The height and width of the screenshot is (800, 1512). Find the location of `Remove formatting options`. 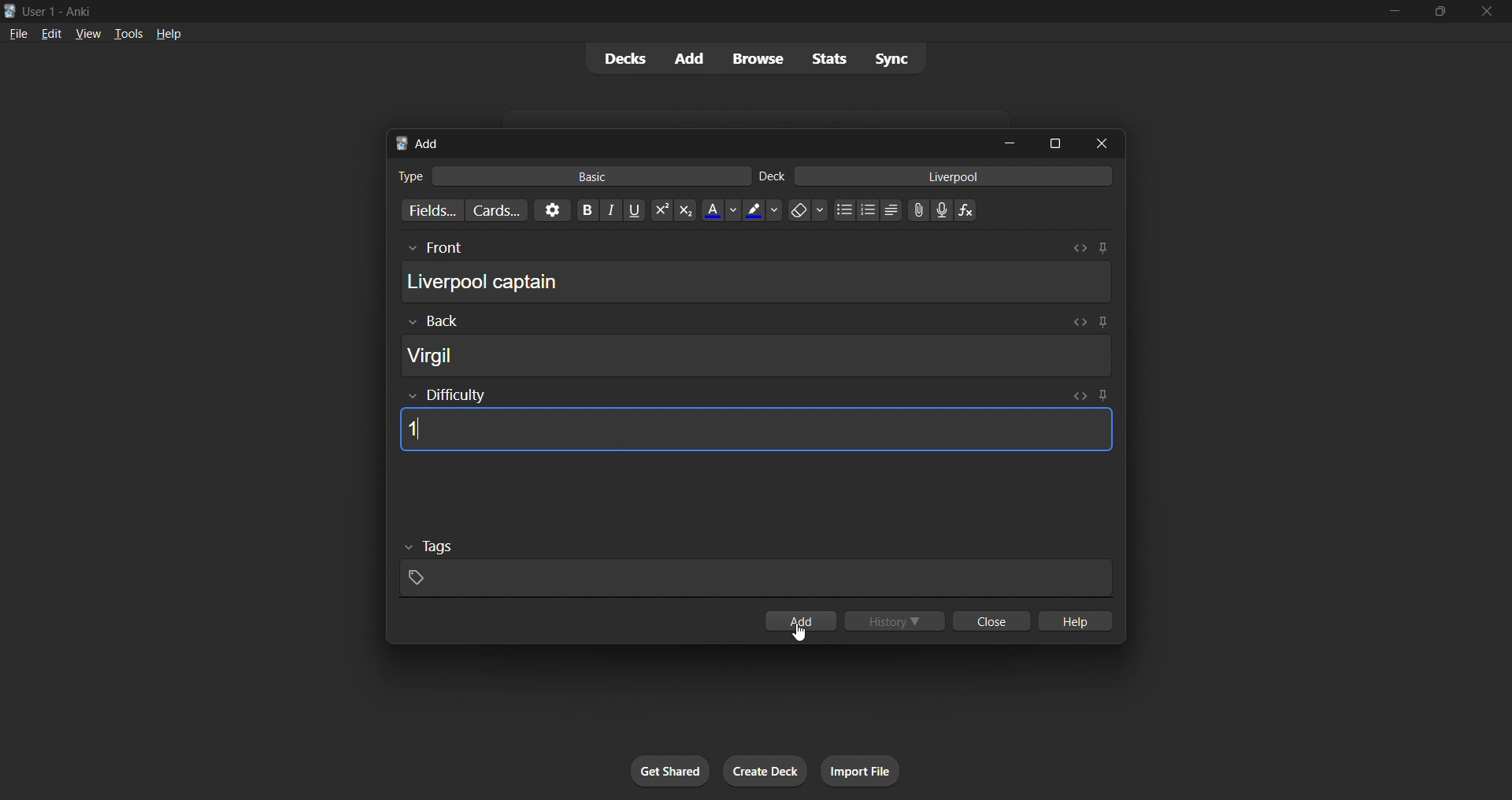

Remove formatting options is located at coordinates (809, 210).